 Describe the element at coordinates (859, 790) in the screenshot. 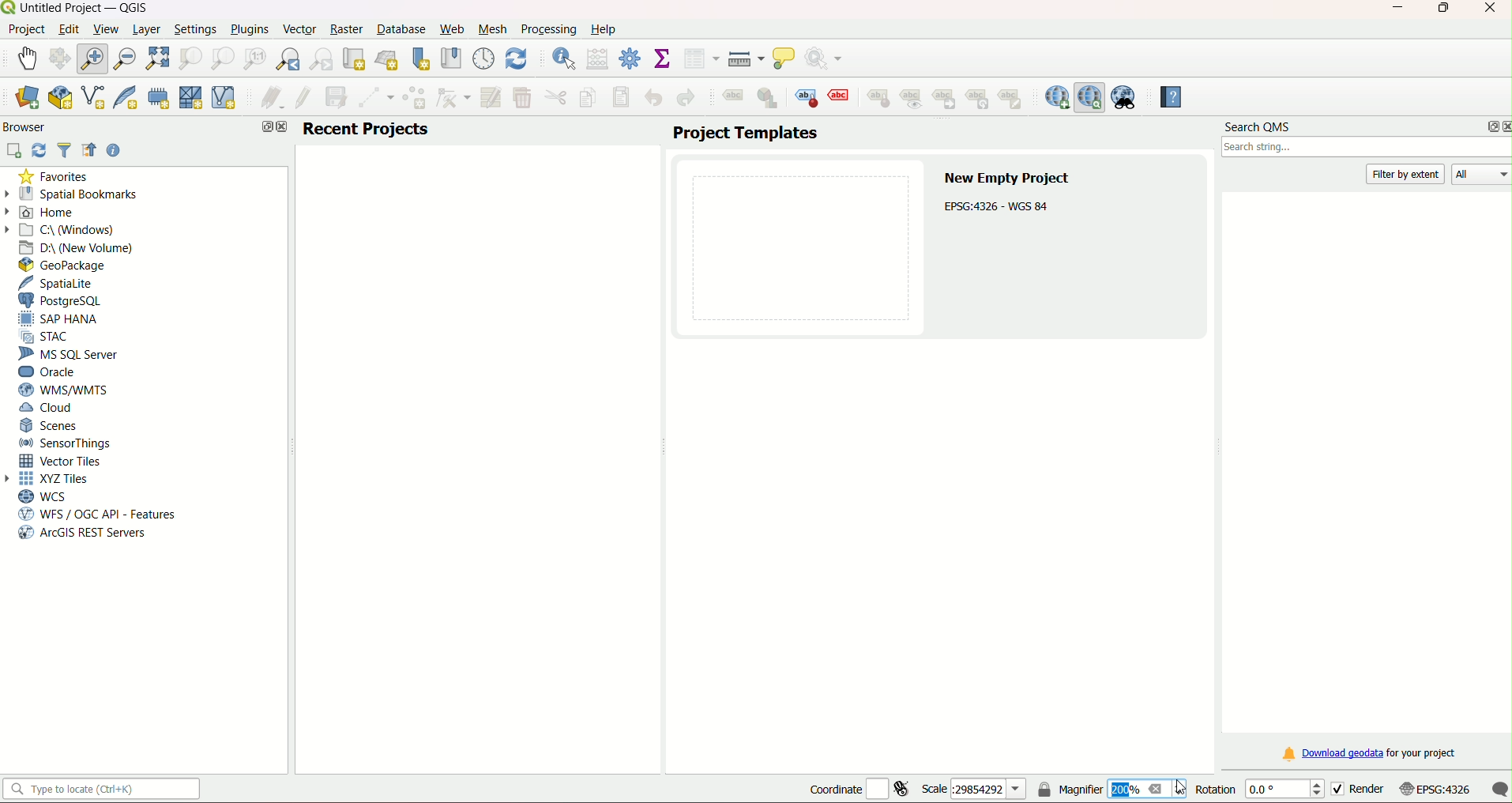

I see `cordinates` at that location.